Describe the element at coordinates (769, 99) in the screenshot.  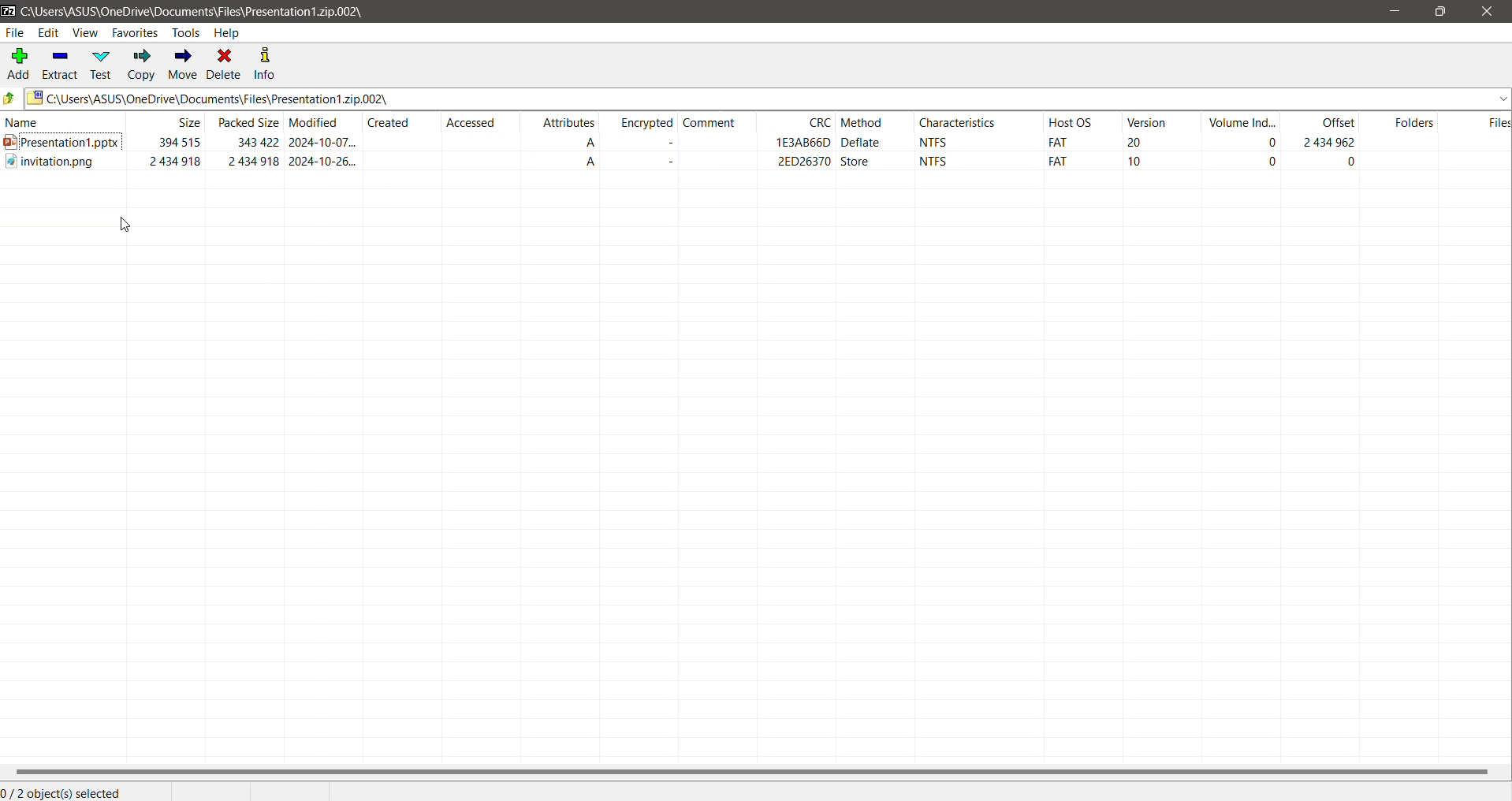
I see `c\Users\ASUS\OneDrive\Documents\Files\` at that location.